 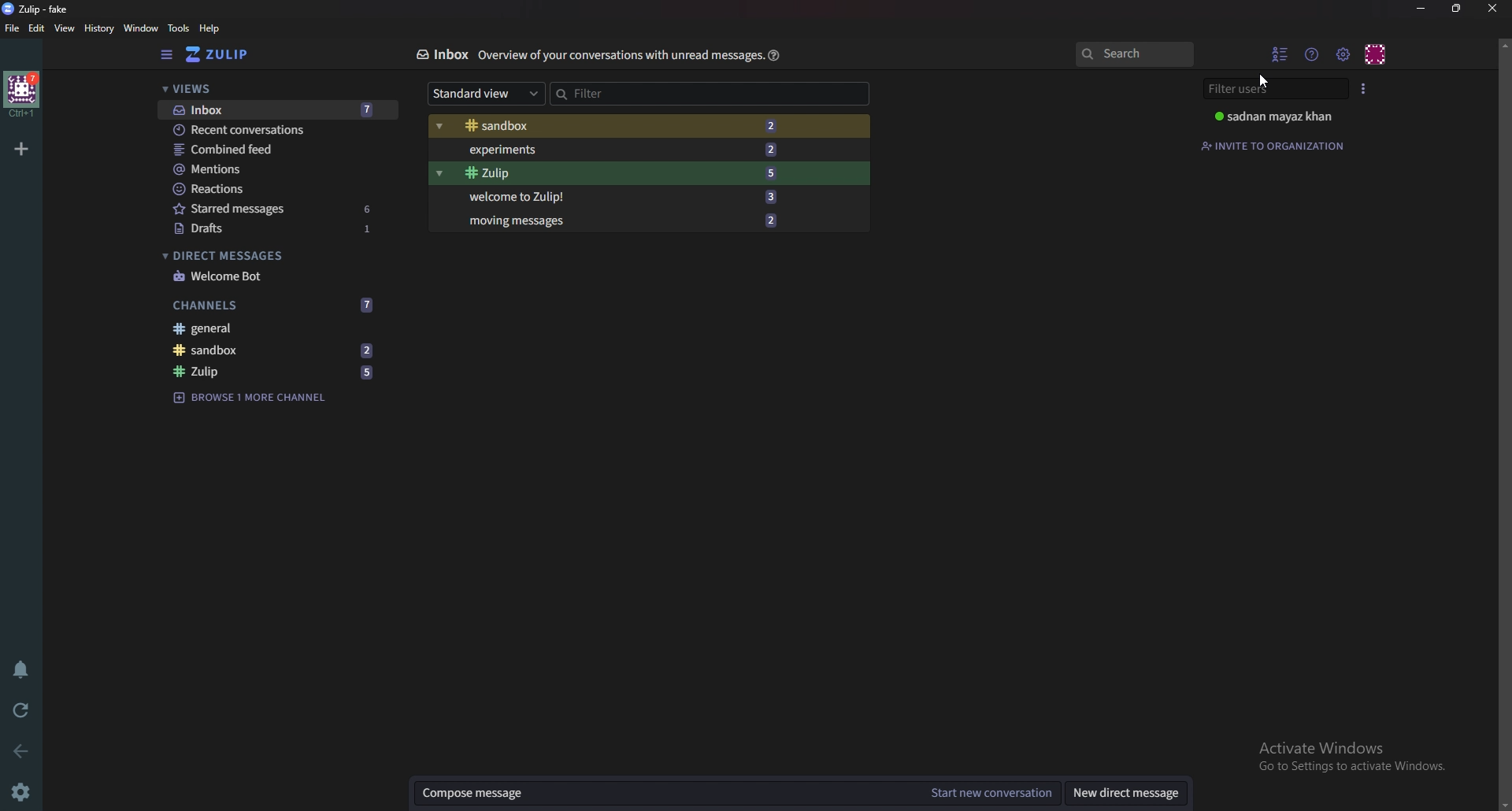 What do you see at coordinates (66, 29) in the screenshot?
I see `view` at bounding box center [66, 29].